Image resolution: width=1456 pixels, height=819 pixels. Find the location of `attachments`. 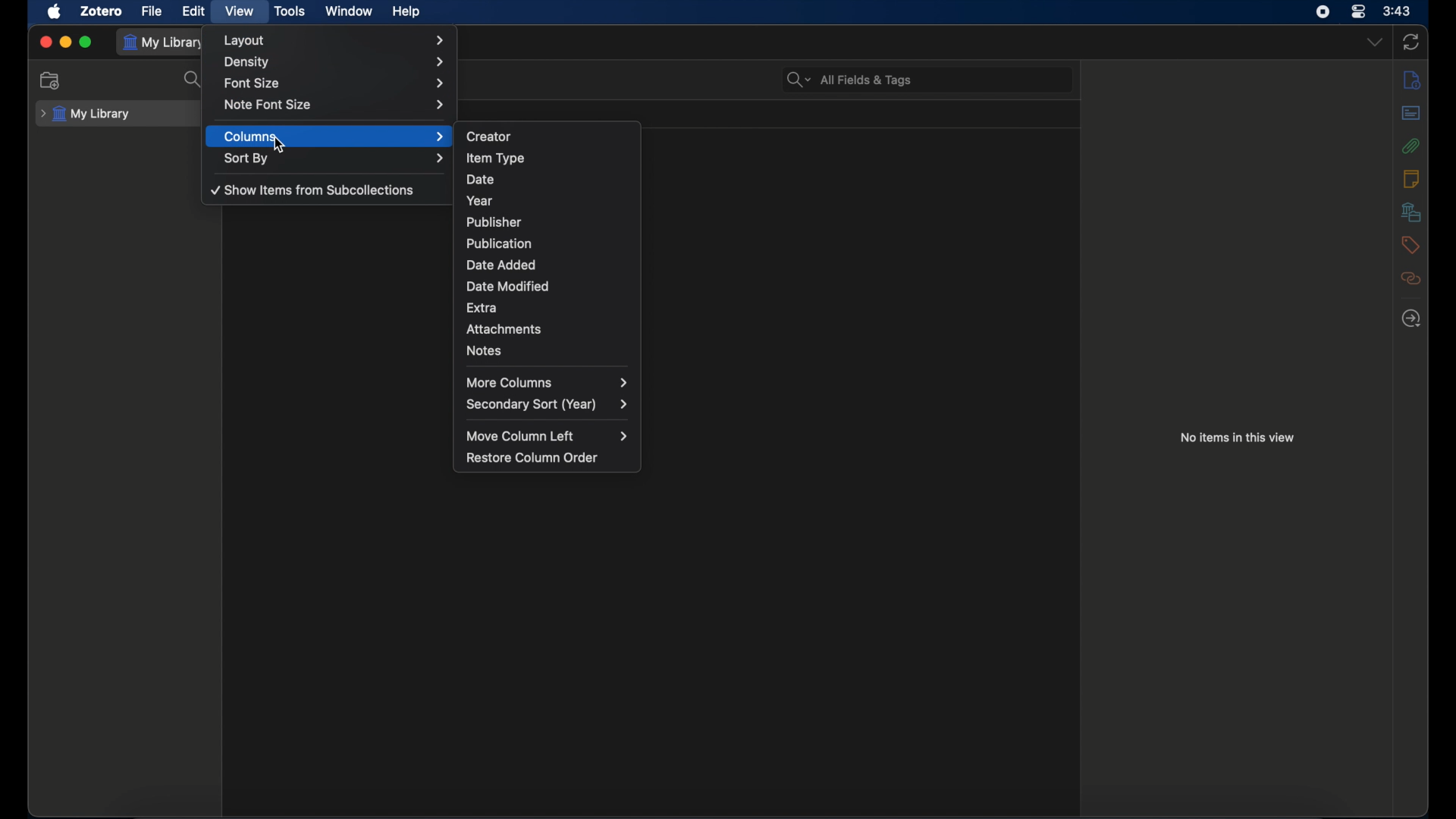

attachments is located at coordinates (547, 329).